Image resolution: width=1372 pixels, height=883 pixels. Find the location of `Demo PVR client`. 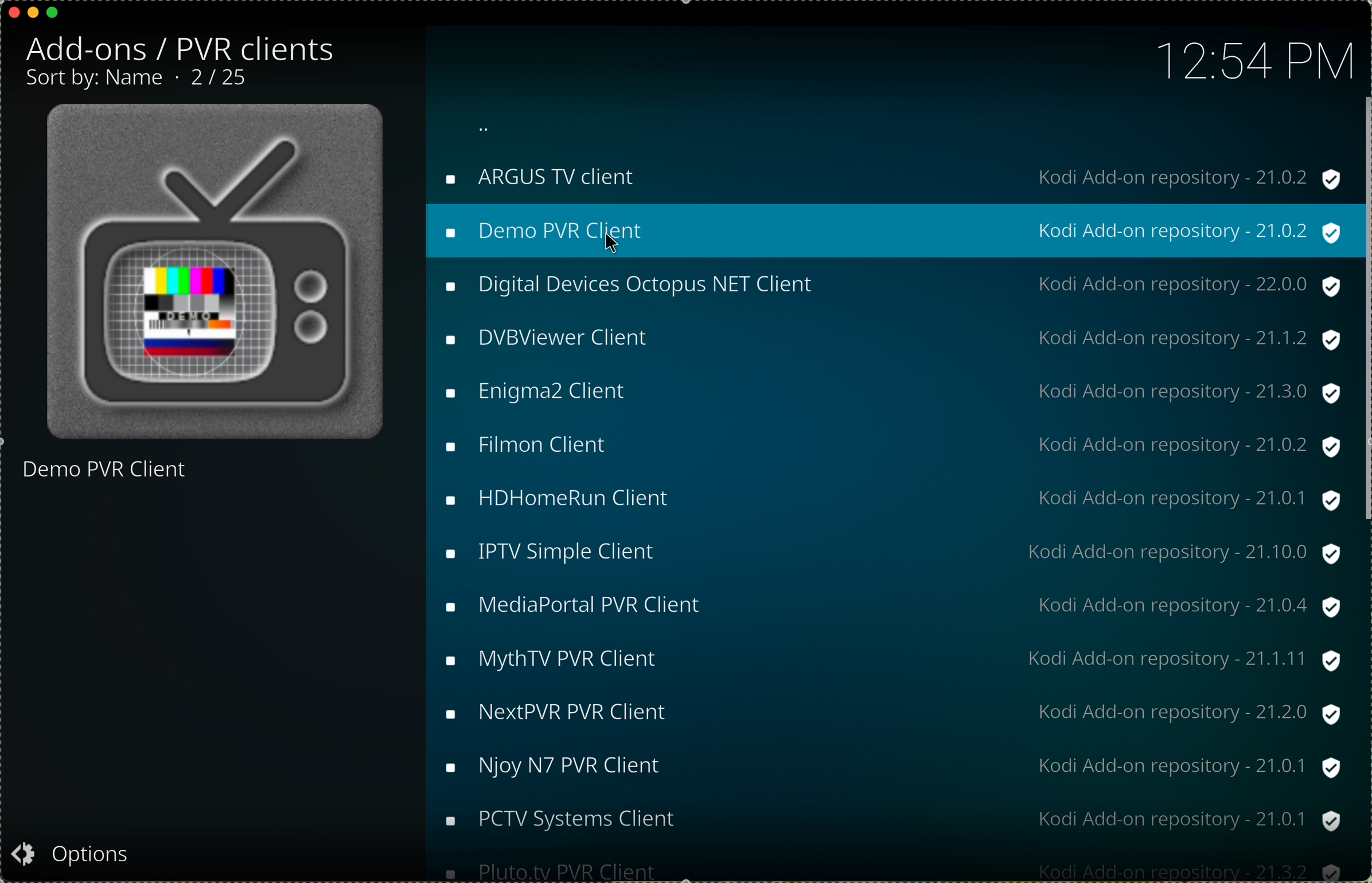

Demo PVR client is located at coordinates (106, 475).